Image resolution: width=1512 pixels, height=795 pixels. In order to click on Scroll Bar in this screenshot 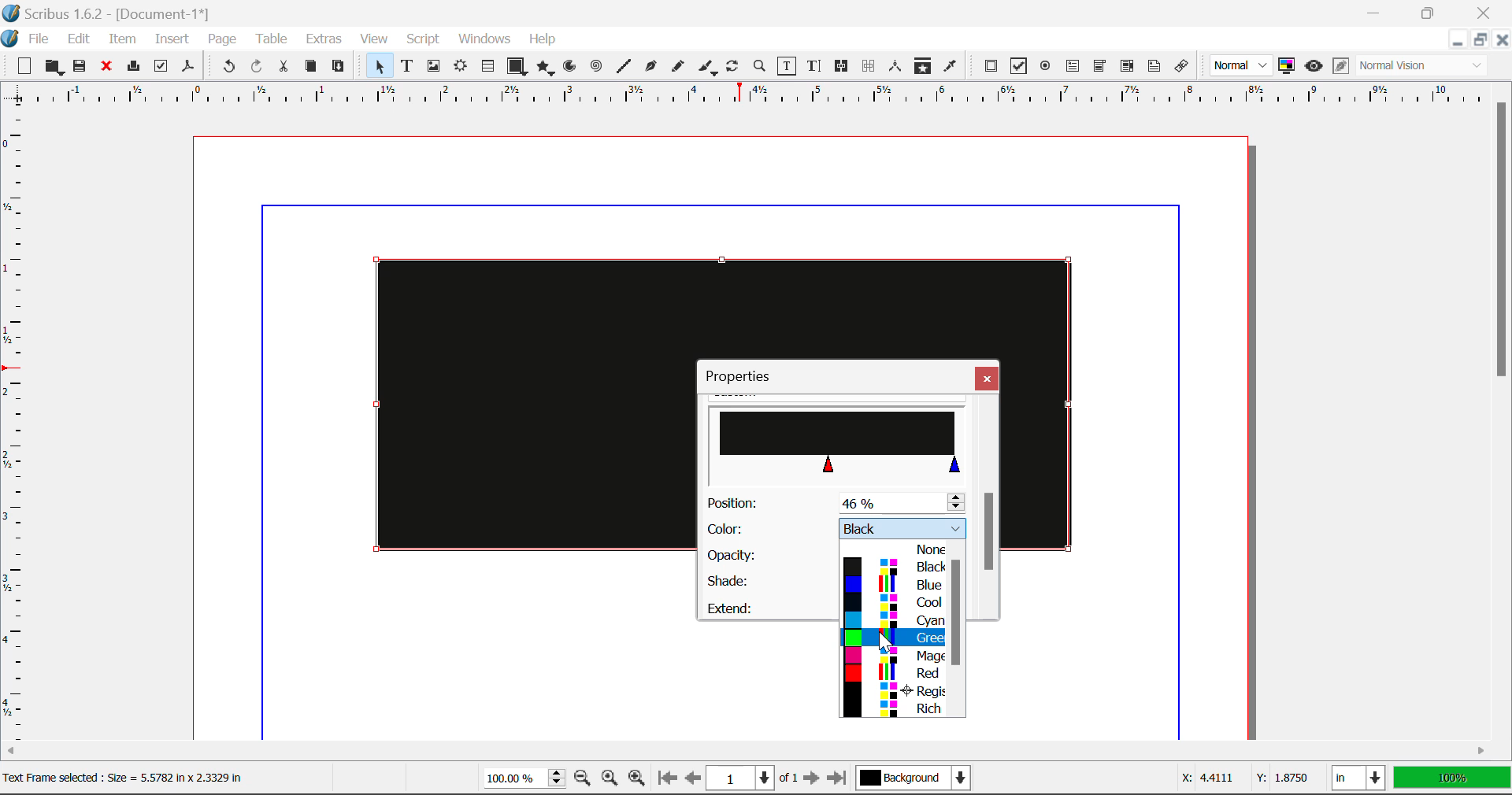, I will do `click(767, 750)`.